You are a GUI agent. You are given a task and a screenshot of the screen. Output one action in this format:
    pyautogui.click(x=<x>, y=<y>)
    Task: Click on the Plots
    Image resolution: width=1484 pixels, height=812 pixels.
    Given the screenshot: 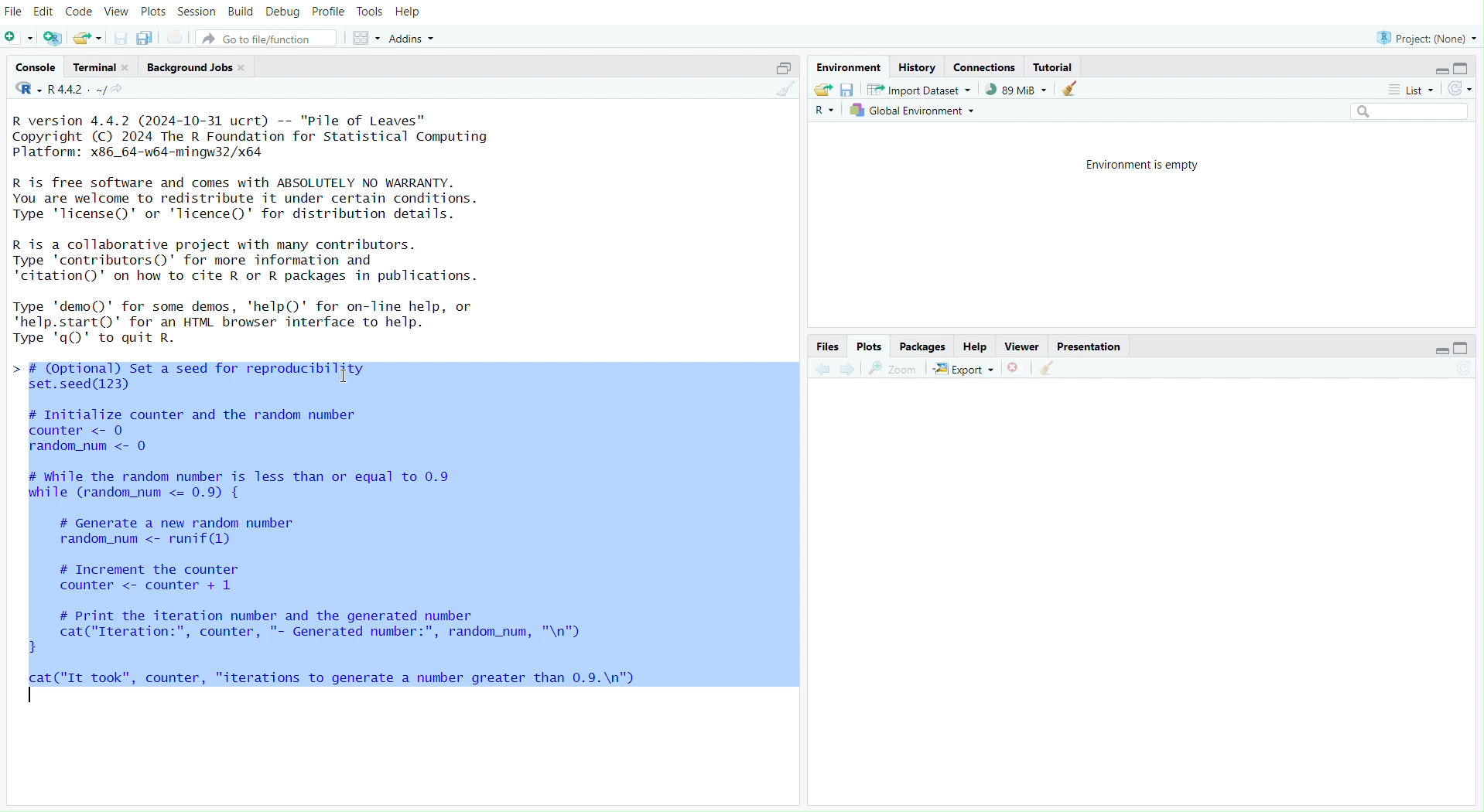 What is the action you would take?
    pyautogui.click(x=150, y=12)
    